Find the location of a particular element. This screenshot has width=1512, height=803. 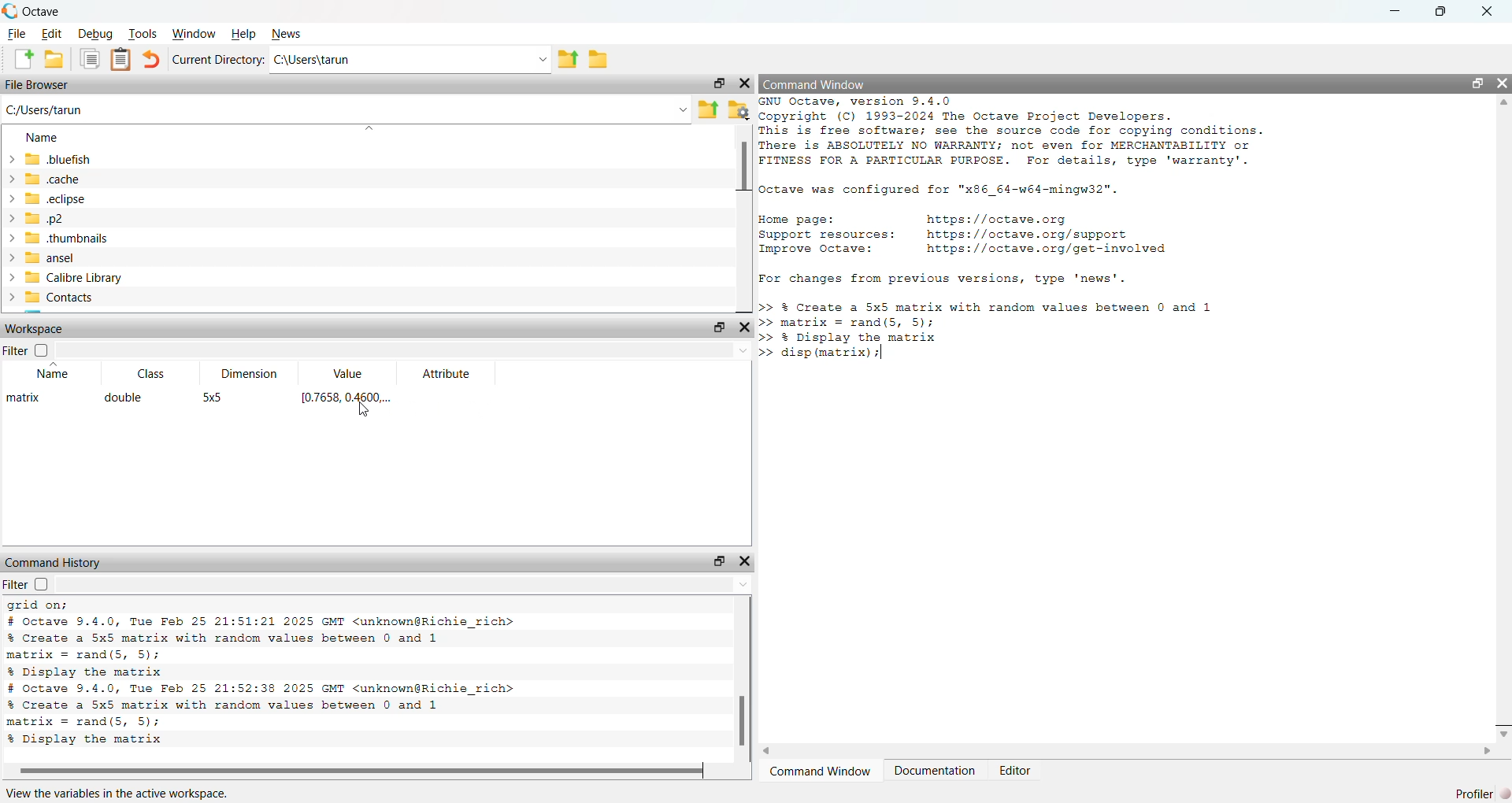

notes is located at coordinates (124, 59).